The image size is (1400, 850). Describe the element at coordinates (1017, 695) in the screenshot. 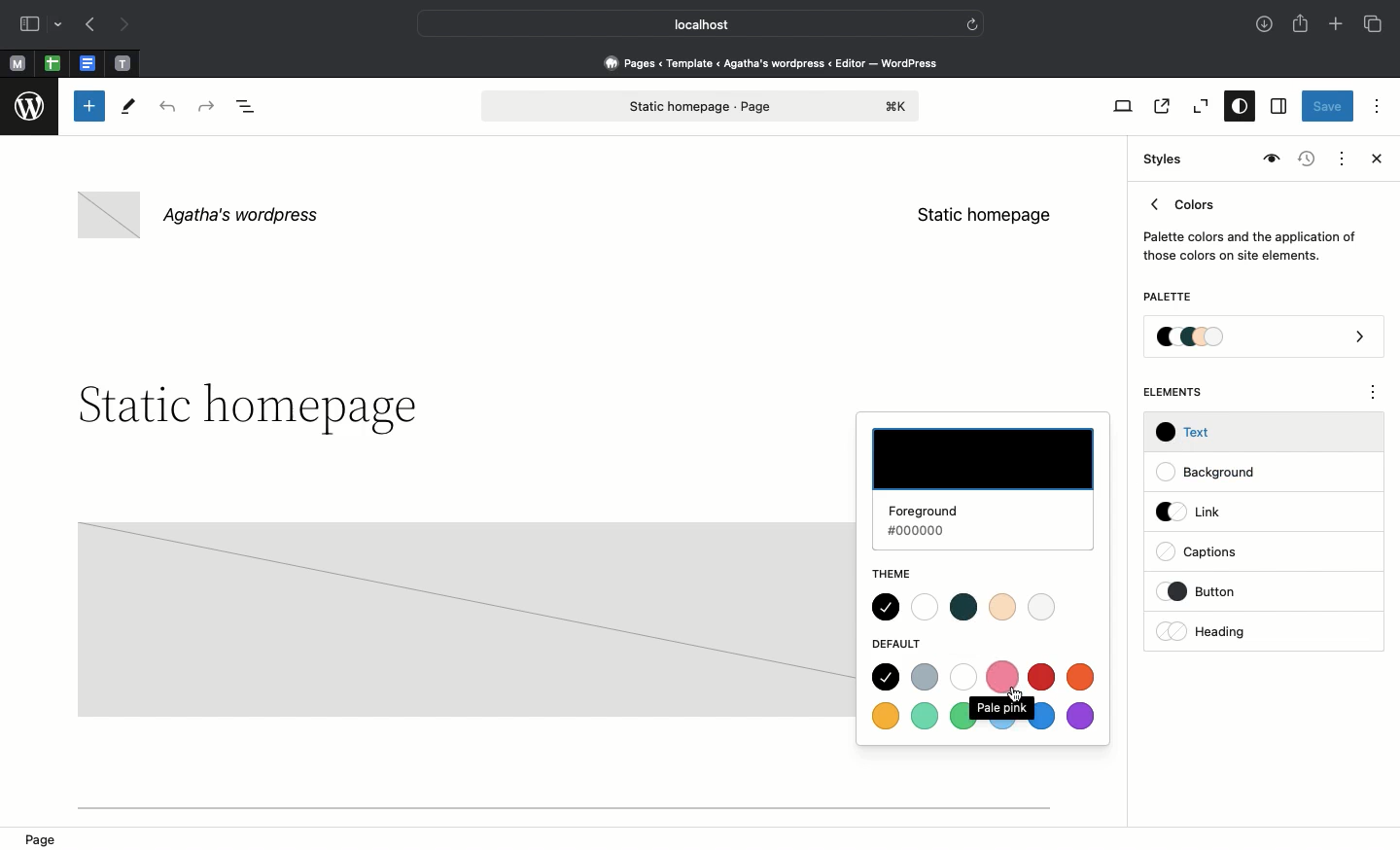

I see `cursor` at that location.